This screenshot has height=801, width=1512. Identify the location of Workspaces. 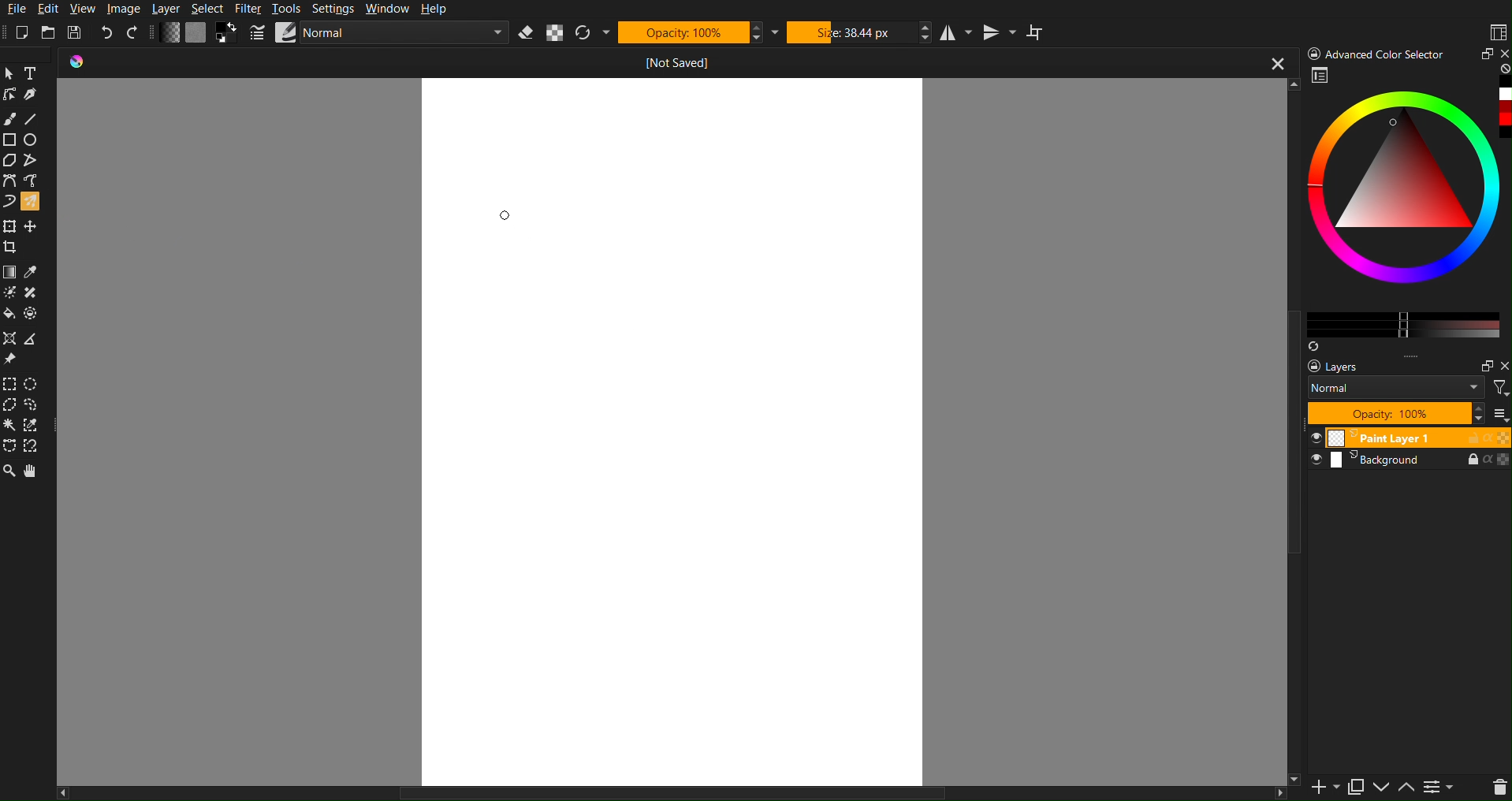
(1497, 31).